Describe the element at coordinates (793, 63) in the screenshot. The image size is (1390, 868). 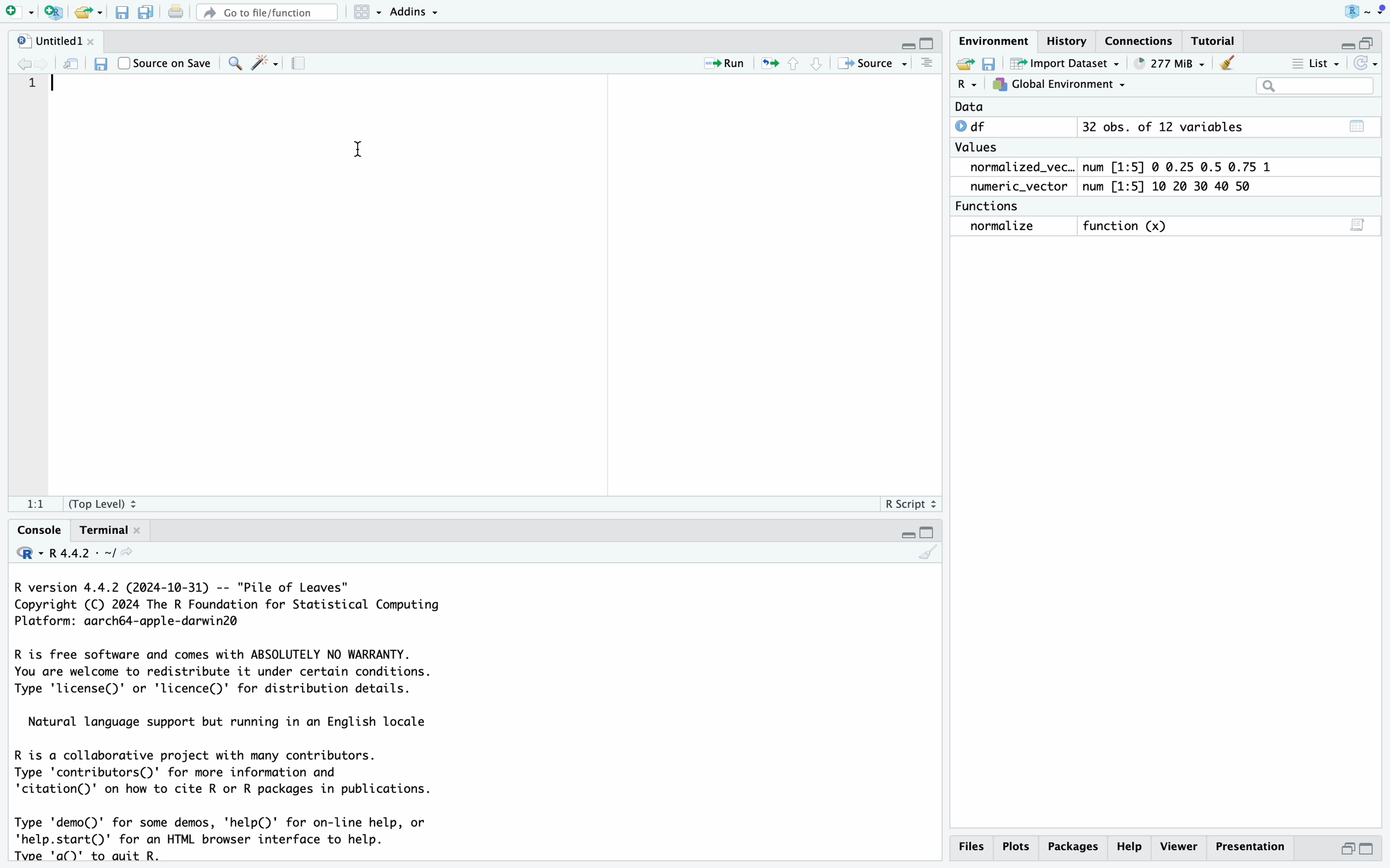
I see `go to previous section` at that location.